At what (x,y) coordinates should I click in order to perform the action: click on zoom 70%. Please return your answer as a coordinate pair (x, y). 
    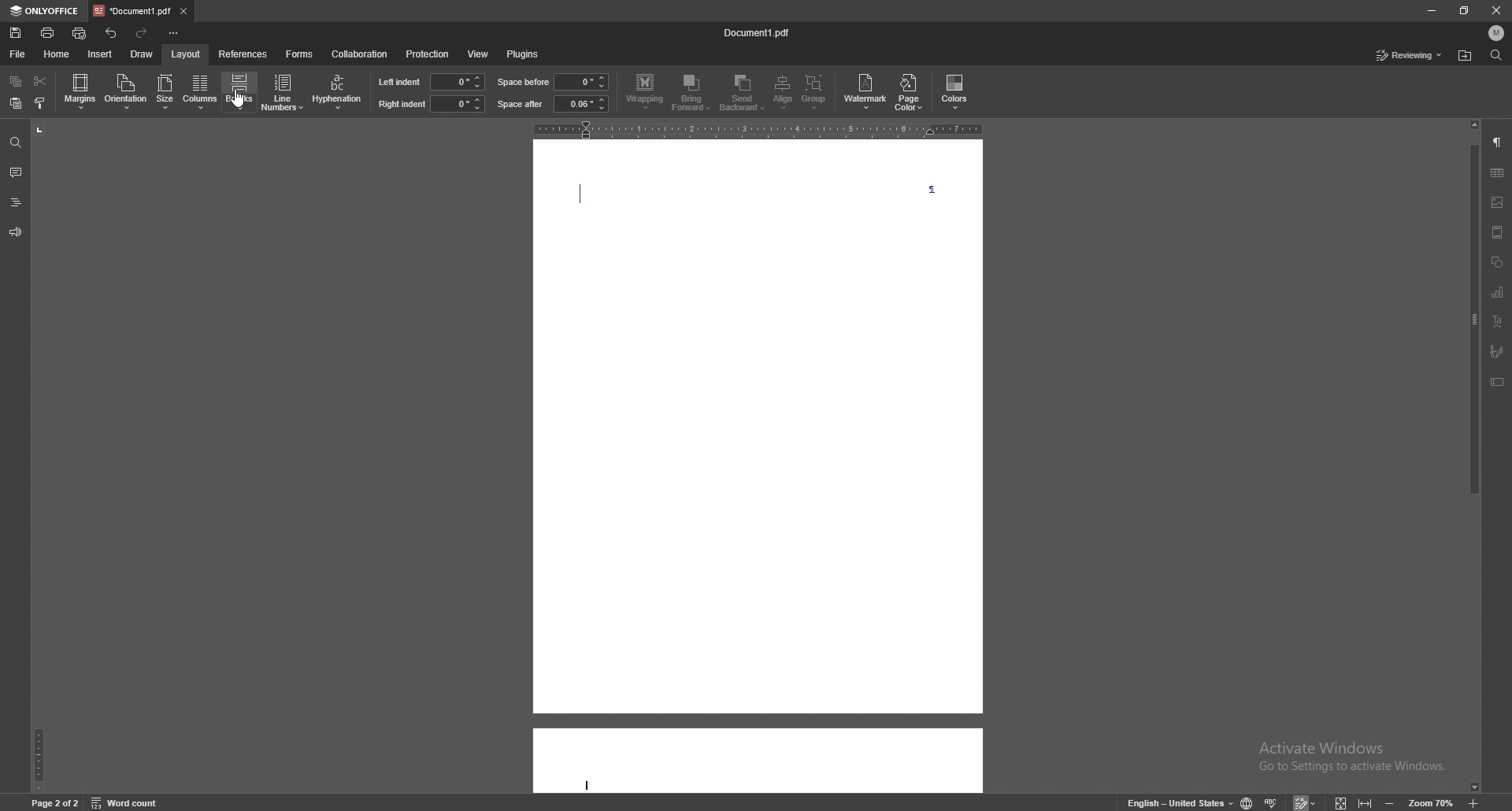
    Looking at the image, I should click on (1435, 801).